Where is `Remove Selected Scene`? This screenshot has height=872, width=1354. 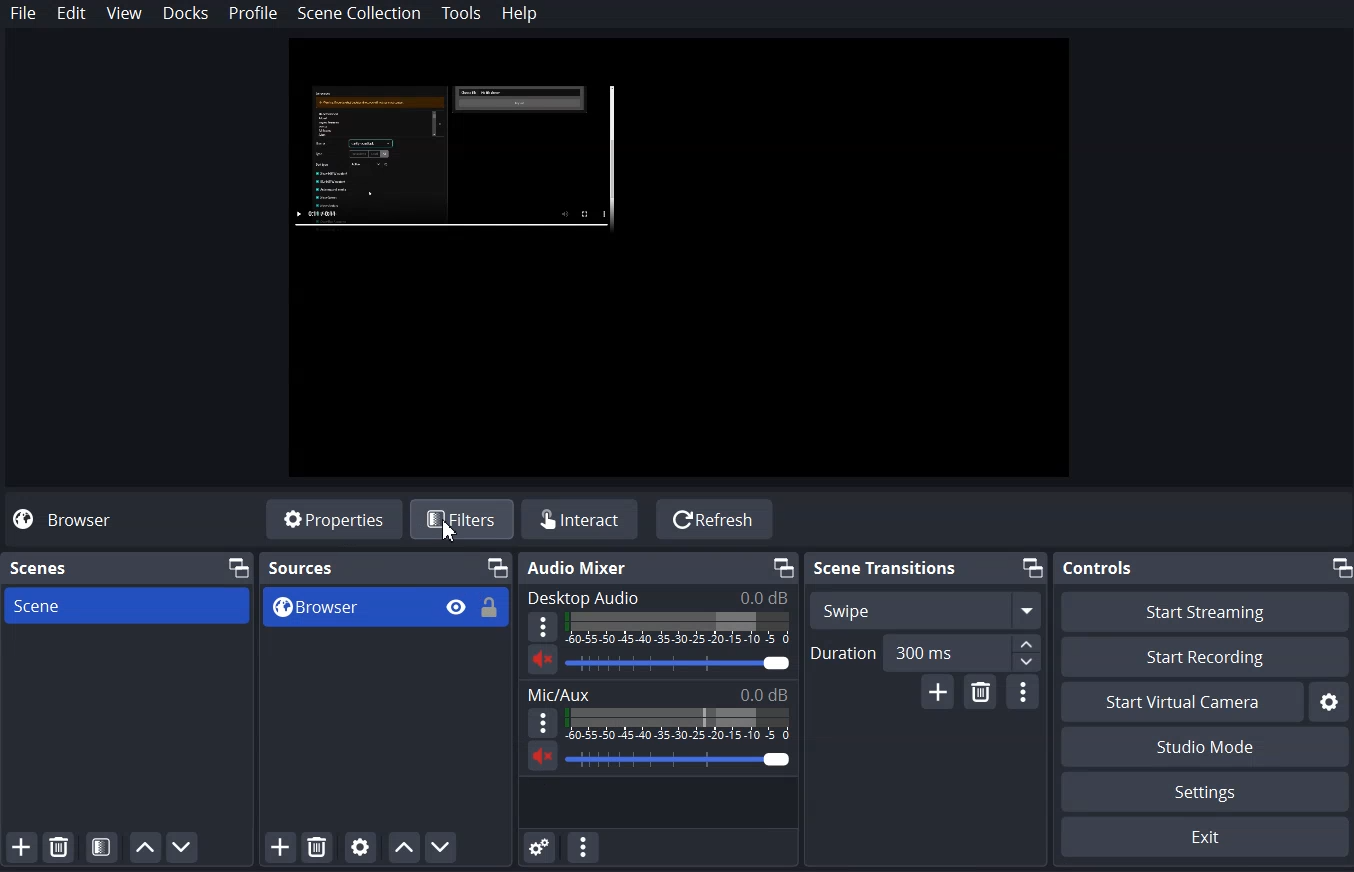
Remove Selected Scene is located at coordinates (58, 846).